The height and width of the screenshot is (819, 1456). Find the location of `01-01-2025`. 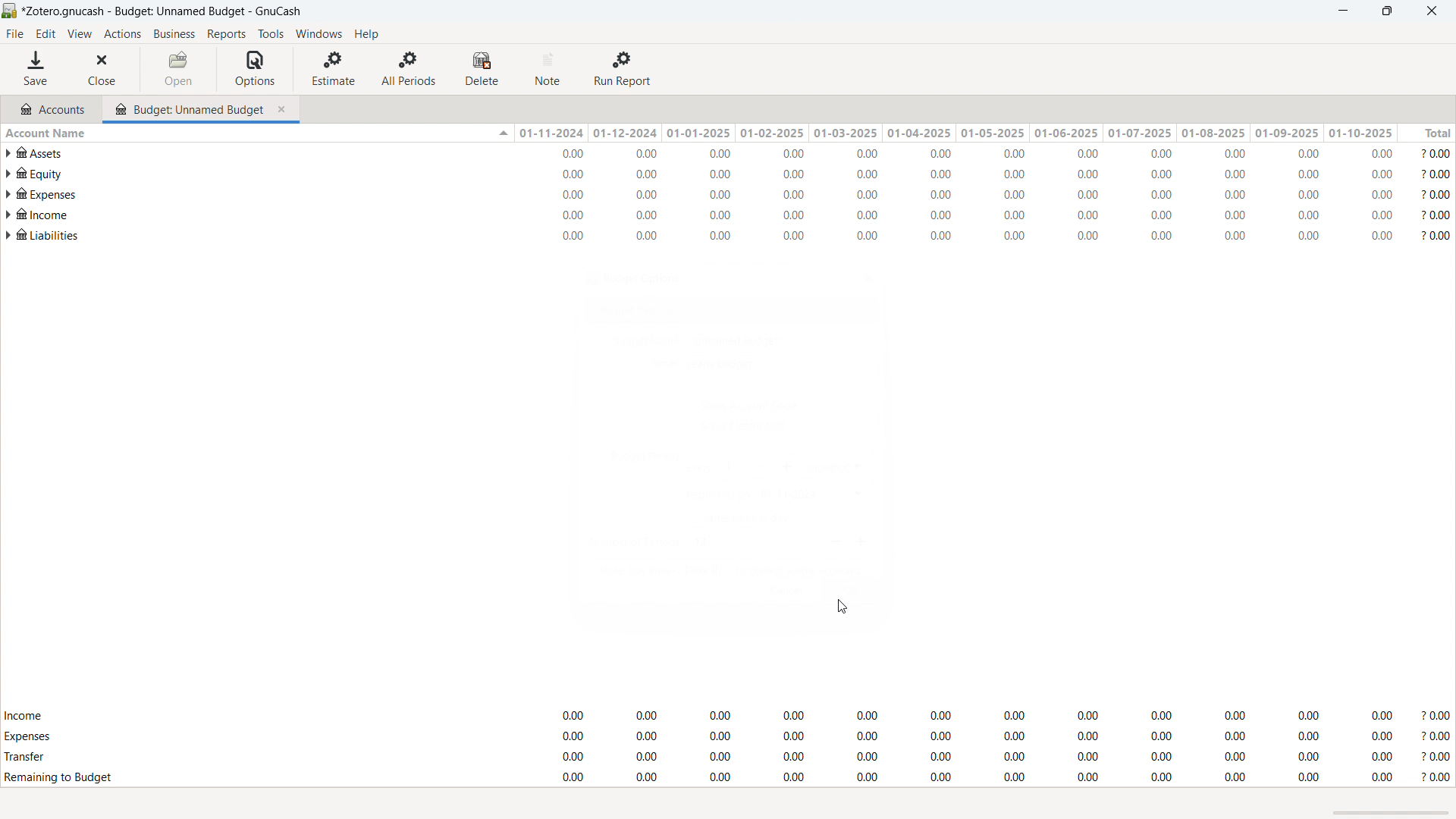

01-01-2025 is located at coordinates (700, 132).